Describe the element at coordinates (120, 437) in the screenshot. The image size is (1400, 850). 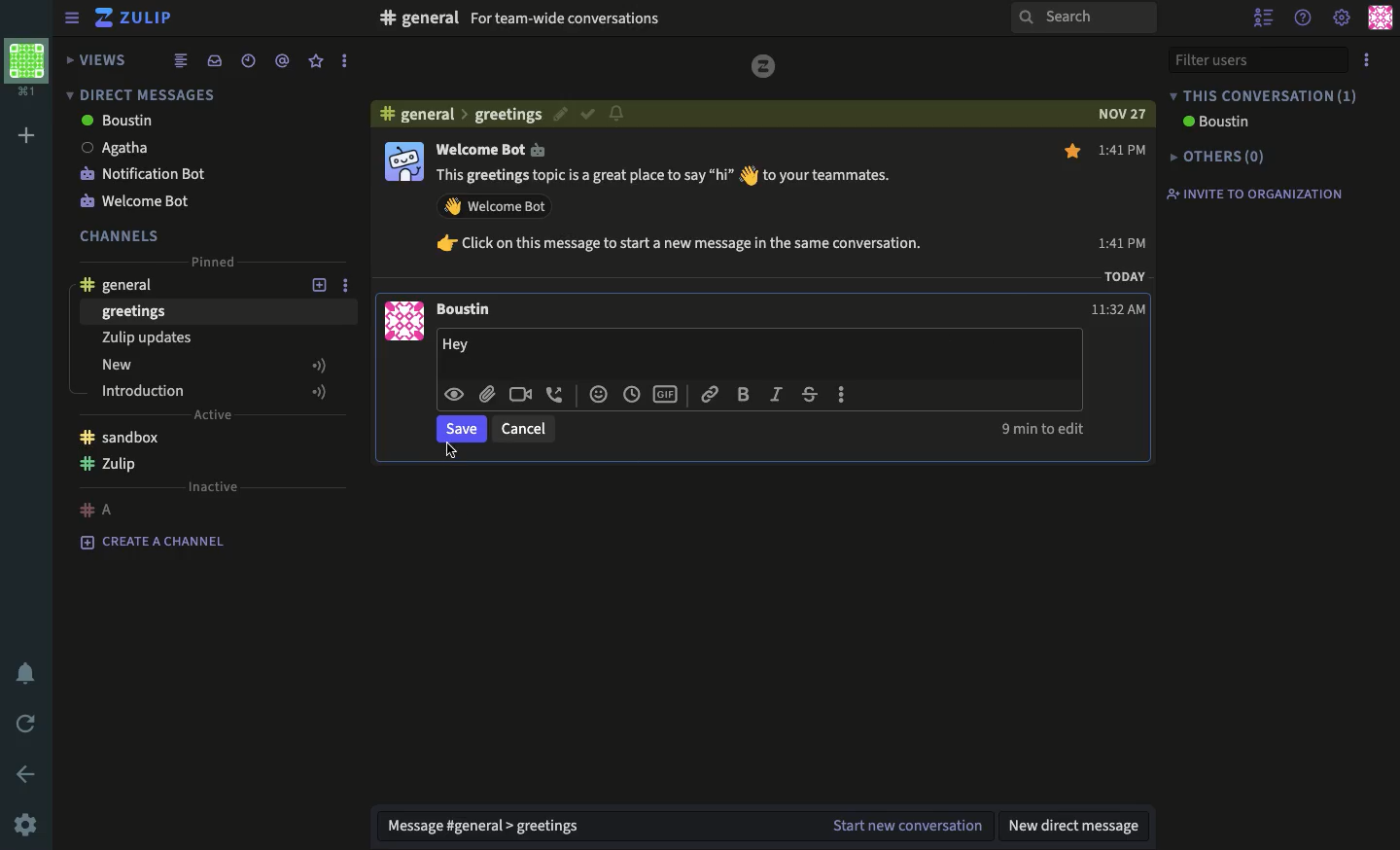
I see `sandbox` at that location.